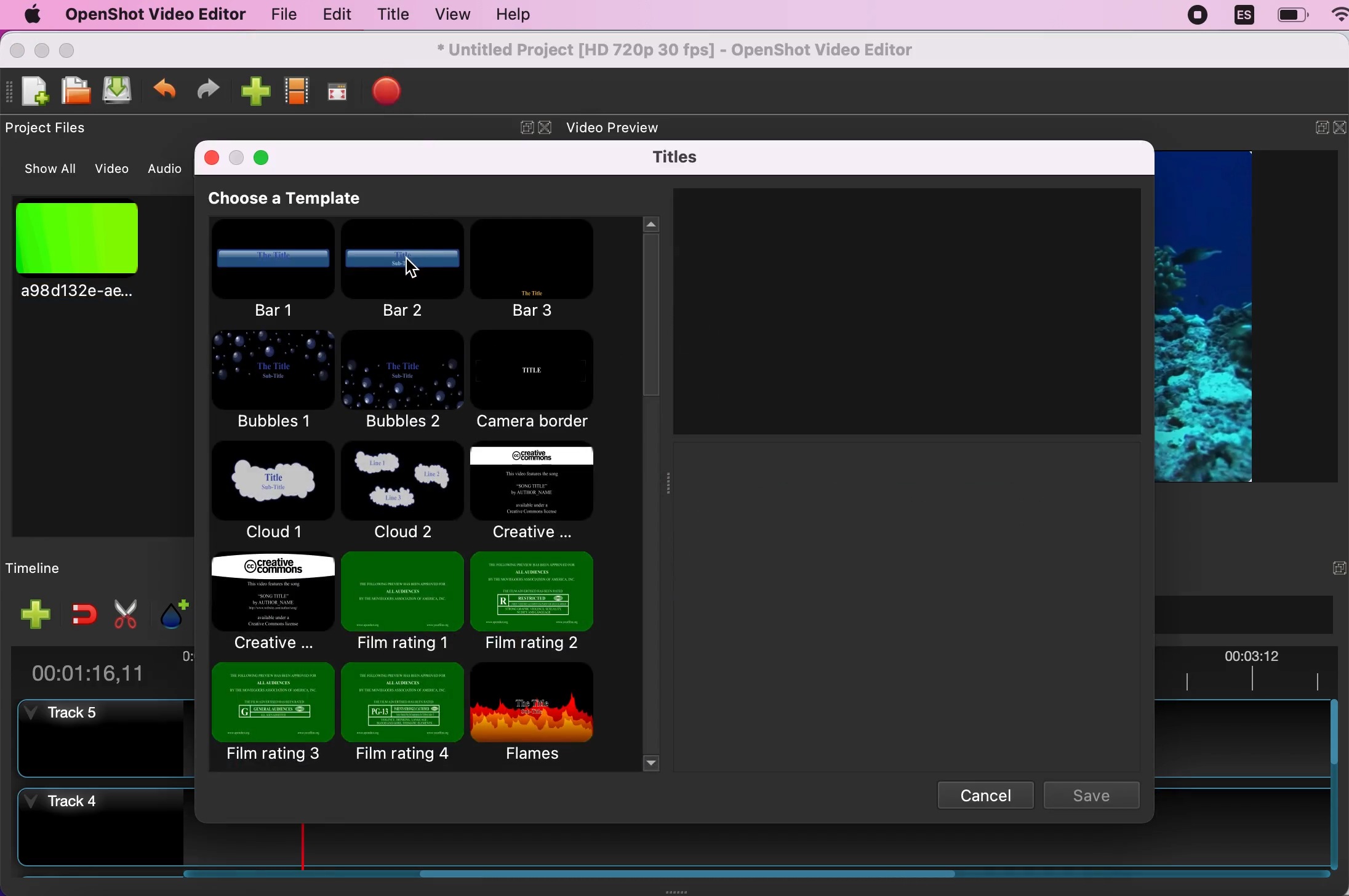  I want to click on bubbles 1, so click(270, 381).